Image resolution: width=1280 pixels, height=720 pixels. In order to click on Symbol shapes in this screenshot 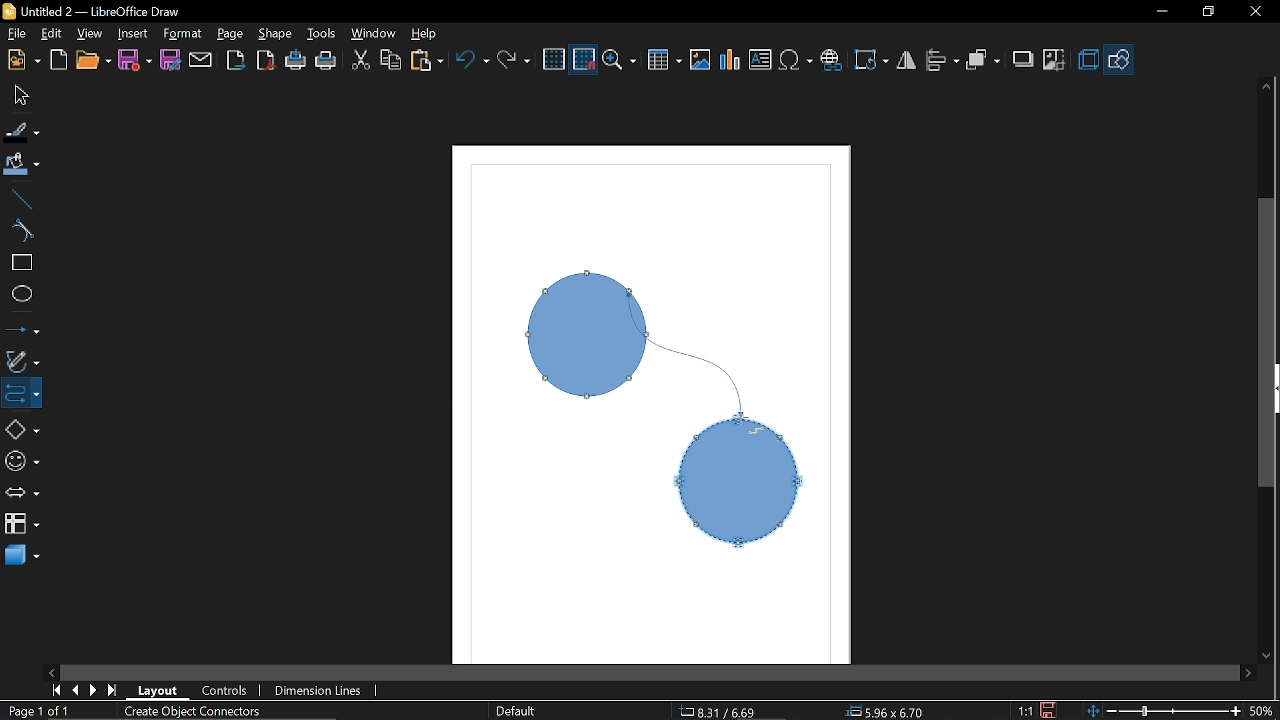, I will do `click(22, 463)`.